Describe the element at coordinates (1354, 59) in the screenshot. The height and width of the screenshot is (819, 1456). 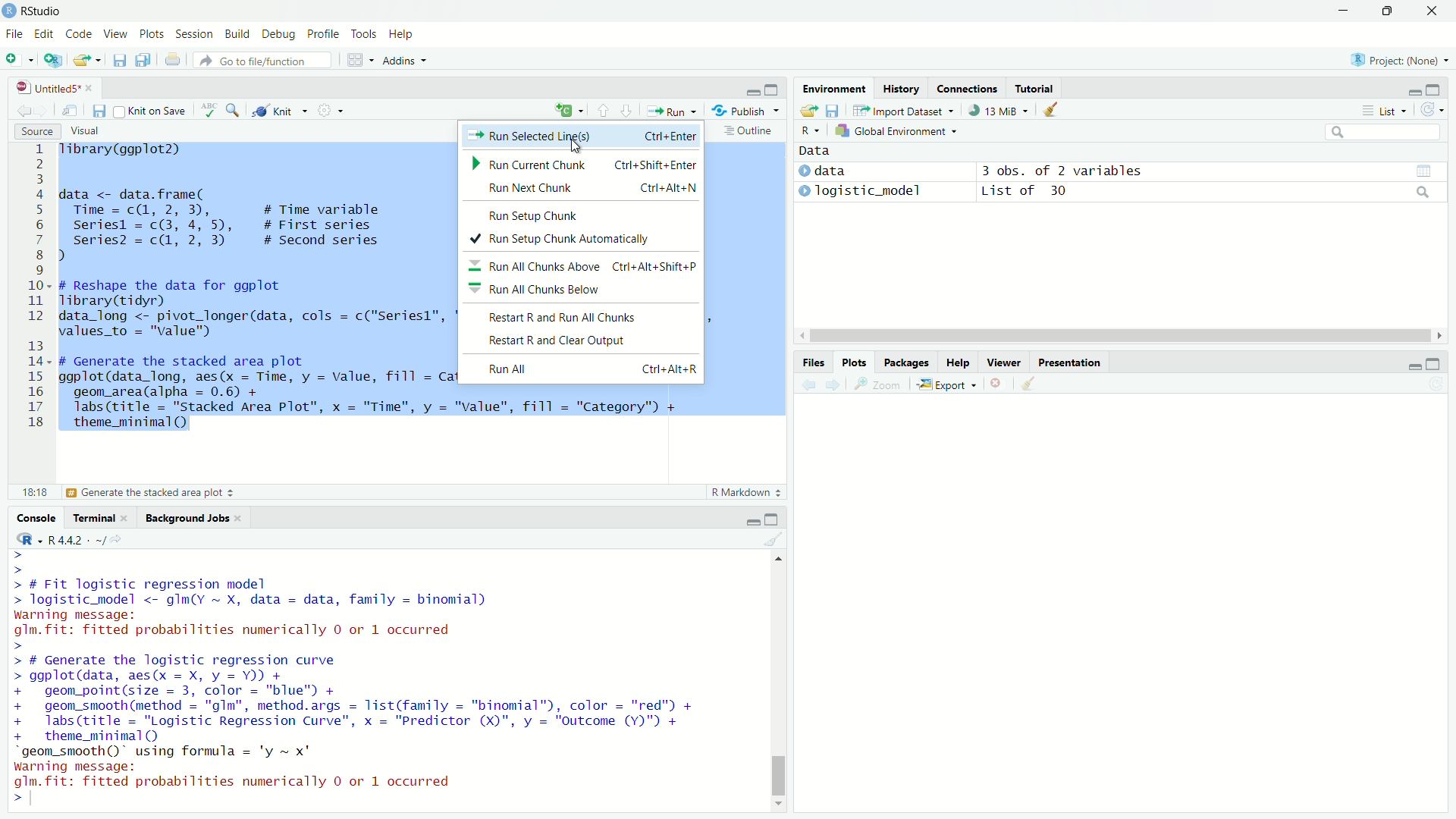
I see `R` at that location.